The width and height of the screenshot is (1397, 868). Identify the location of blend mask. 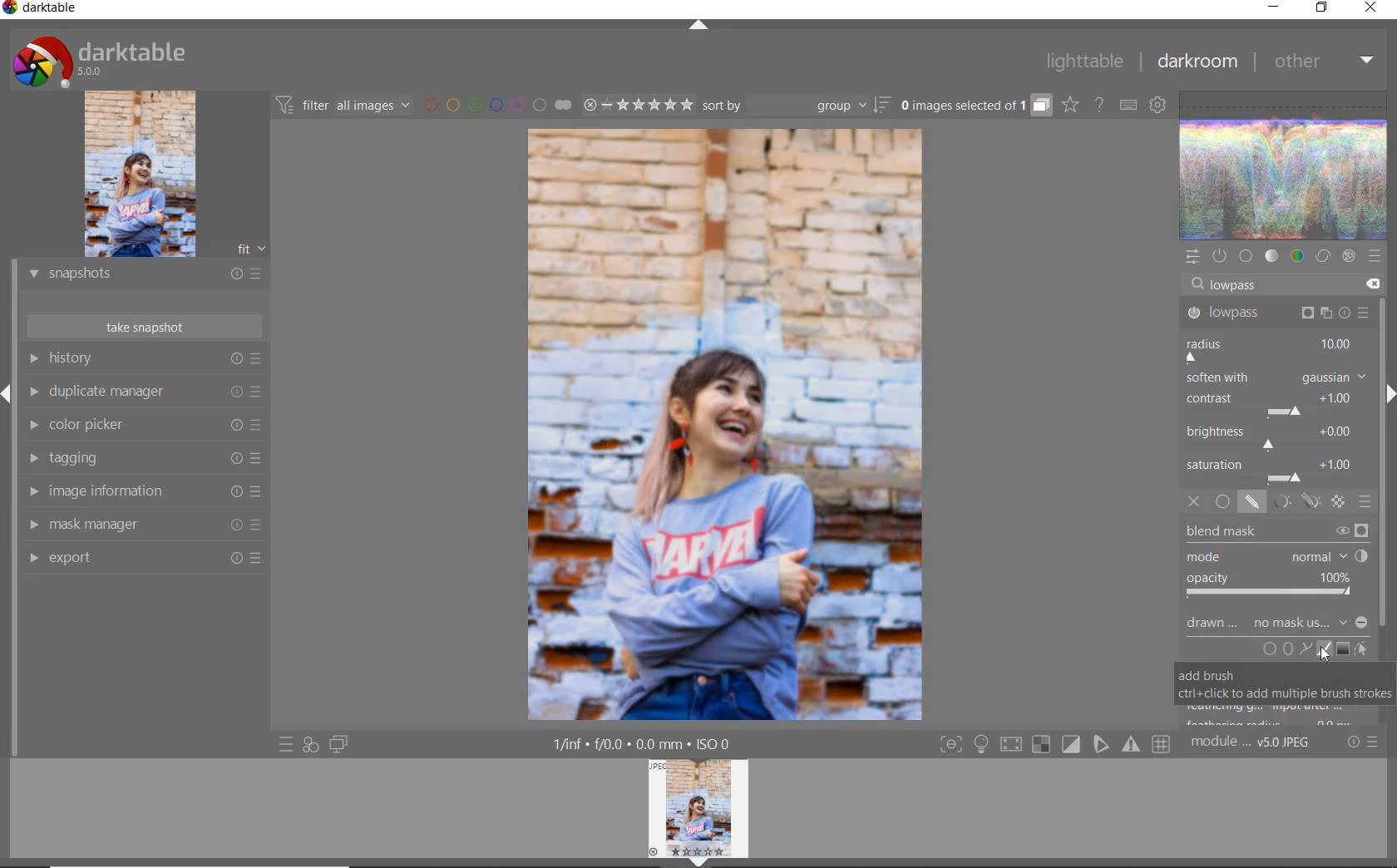
(1281, 562).